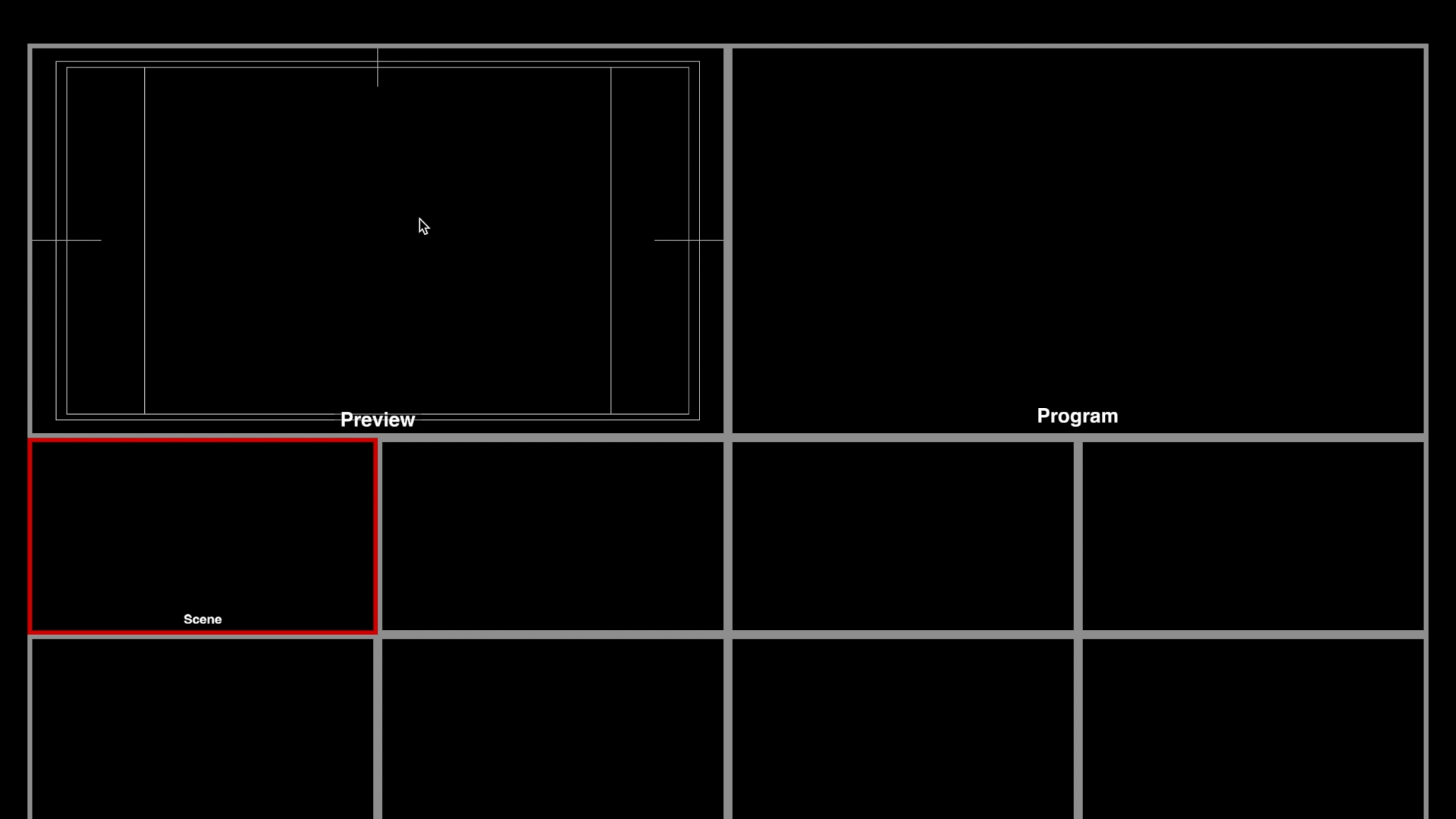 This screenshot has height=819, width=1456. Describe the element at coordinates (379, 419) in the screenshot. I see `preview` at that location.